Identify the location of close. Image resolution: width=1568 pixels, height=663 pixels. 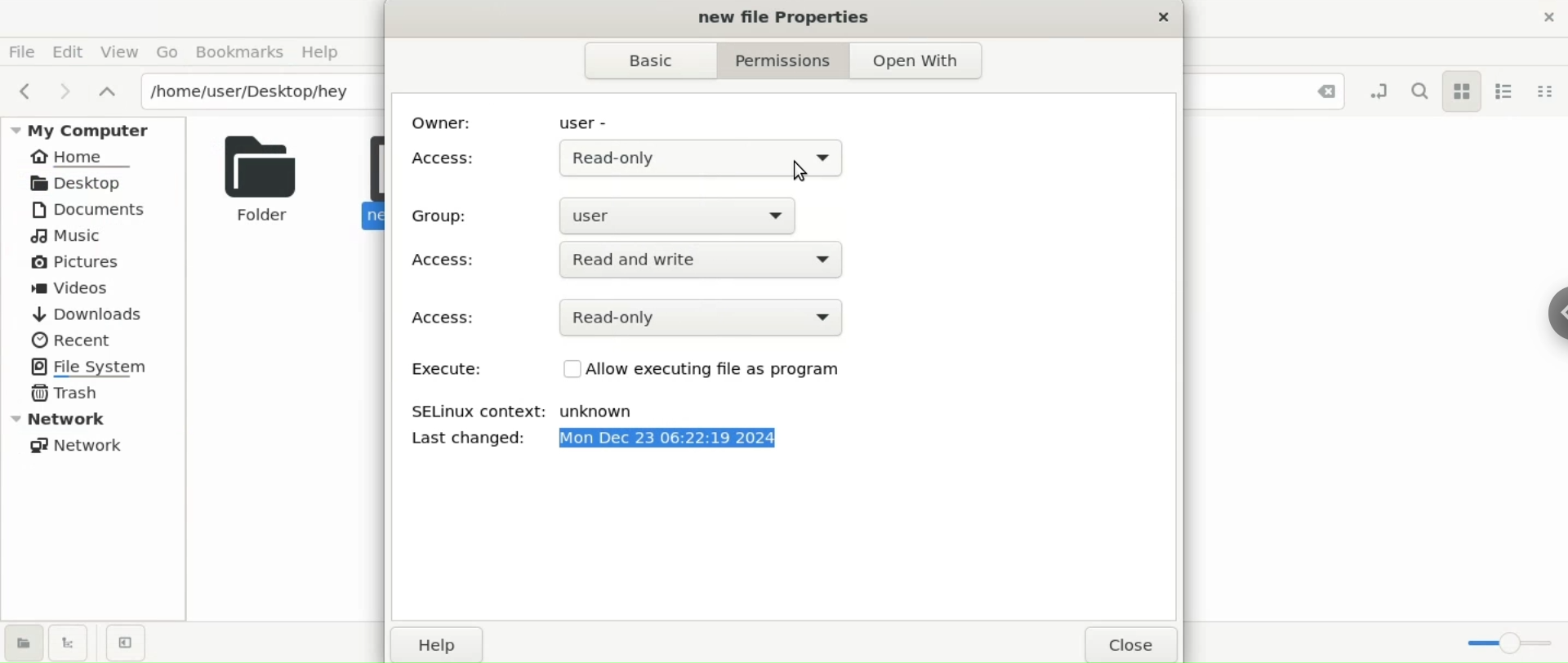
(1159, 20).